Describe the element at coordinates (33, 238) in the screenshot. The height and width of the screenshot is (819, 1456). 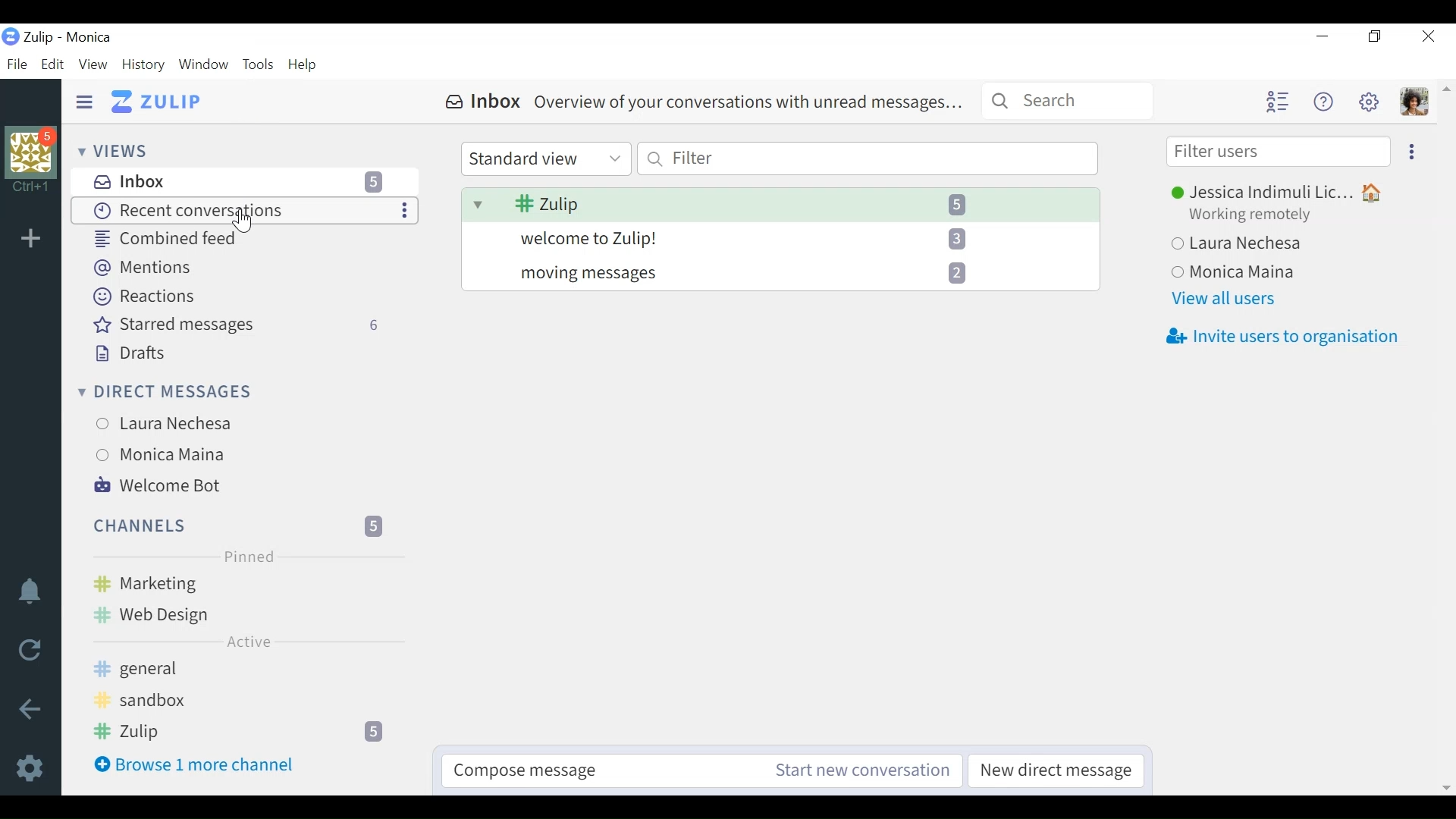
I see `Add organisation` at that location.